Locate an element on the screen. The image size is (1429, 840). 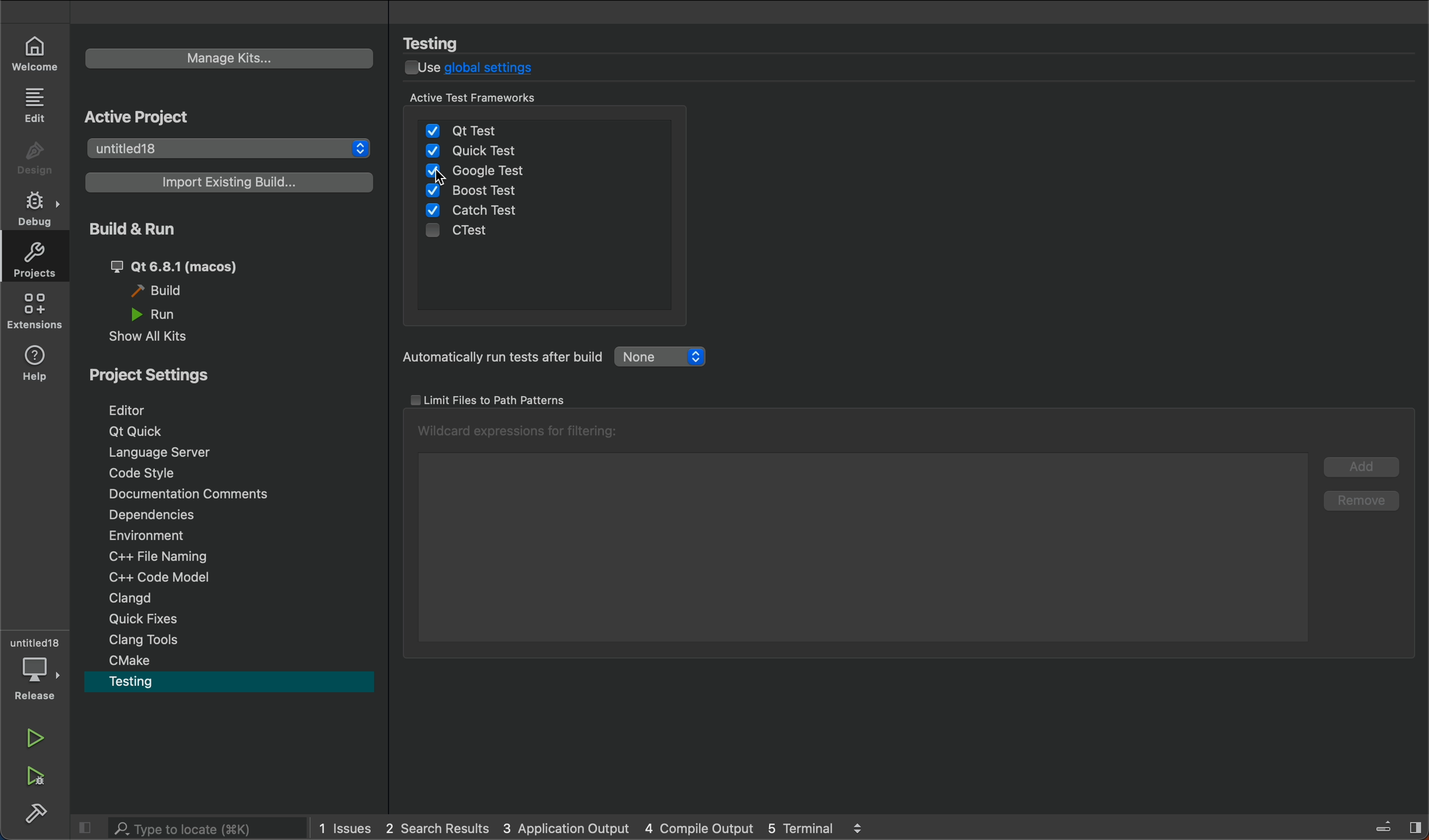
build and run is located at coordinates (228, 278).